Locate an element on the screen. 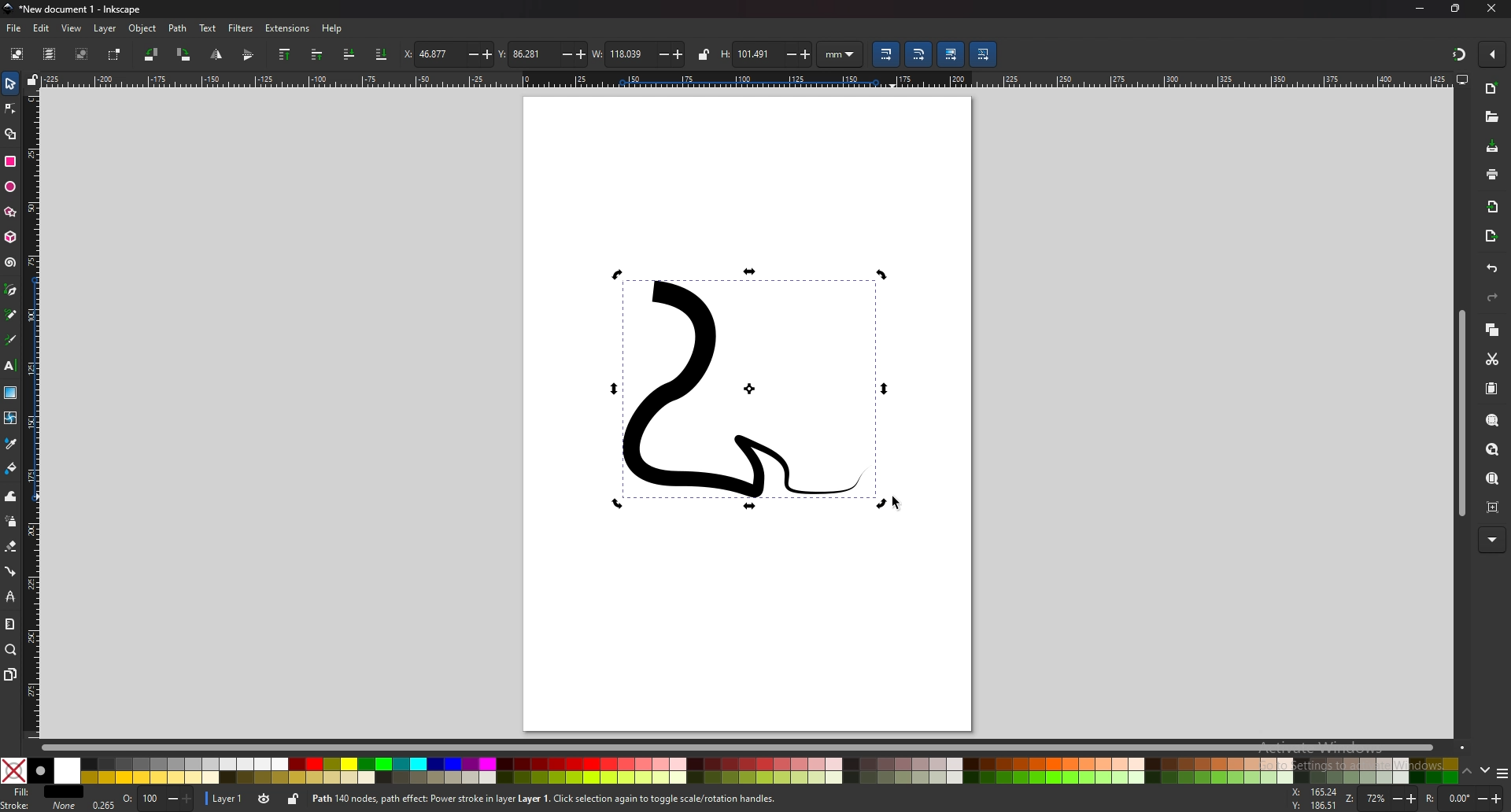 The image size is (1511, 812). selector is located at coordinates (11, 83).